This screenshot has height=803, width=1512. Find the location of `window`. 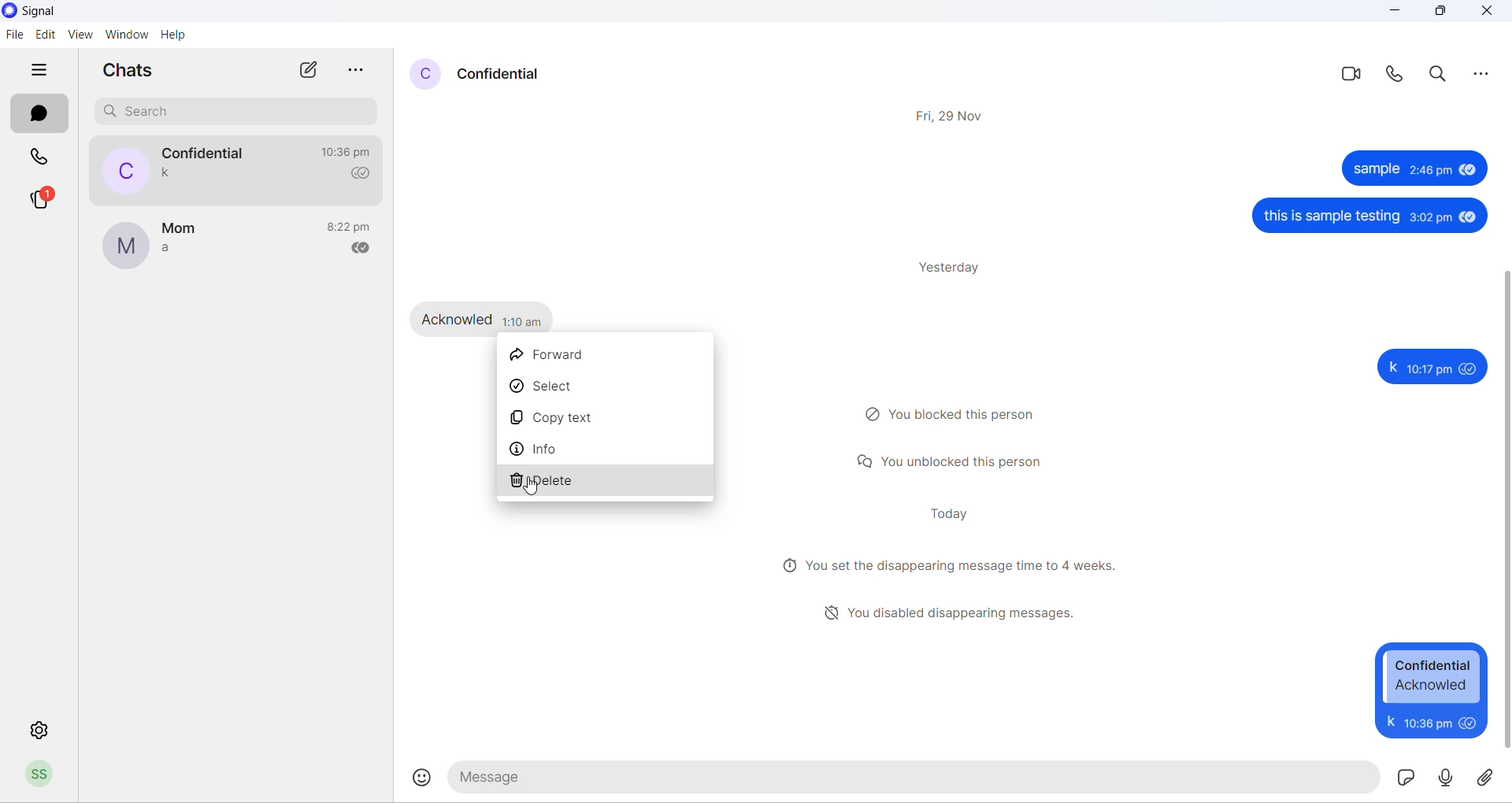

window is located at coordinates (126, 37).